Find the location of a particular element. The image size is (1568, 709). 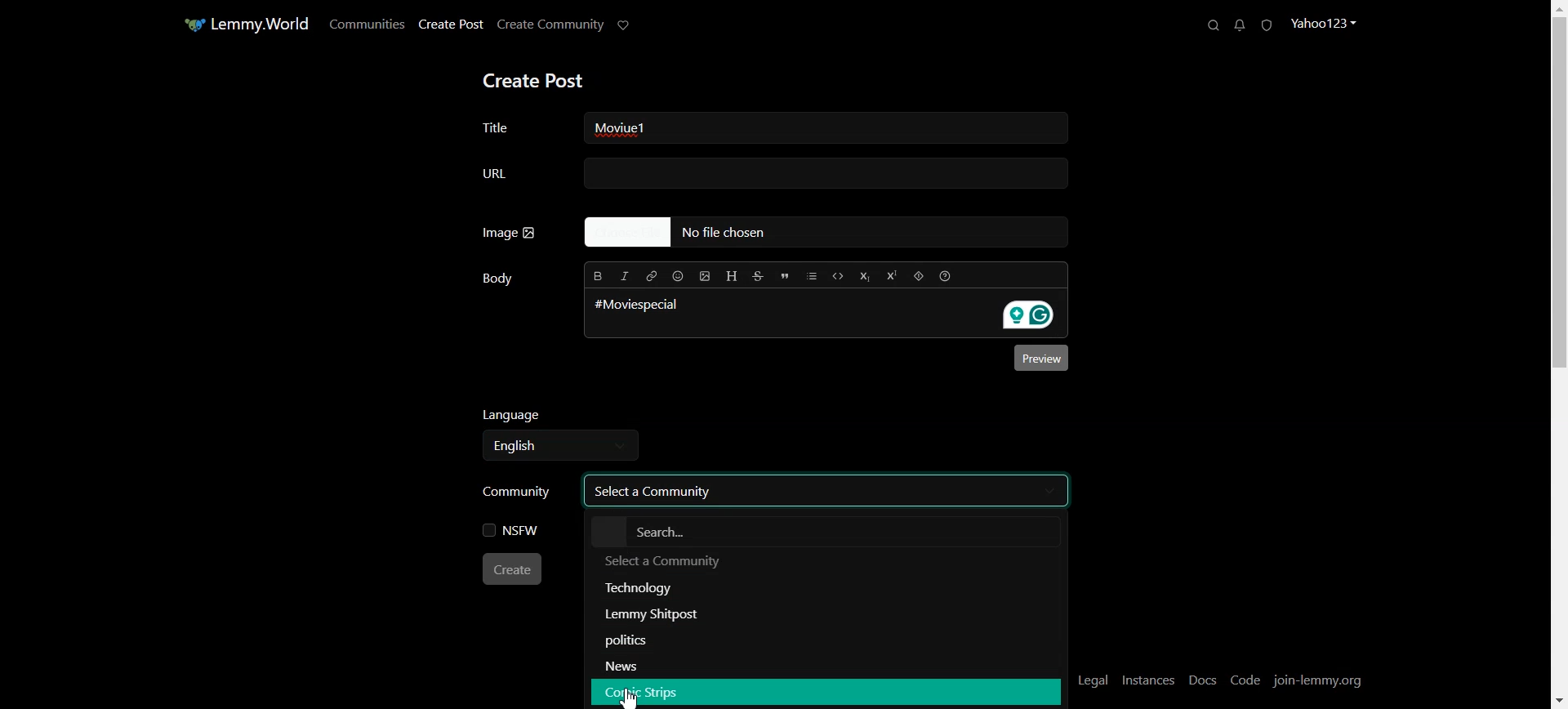

Hyperlink is located at coordinates (651, 276).